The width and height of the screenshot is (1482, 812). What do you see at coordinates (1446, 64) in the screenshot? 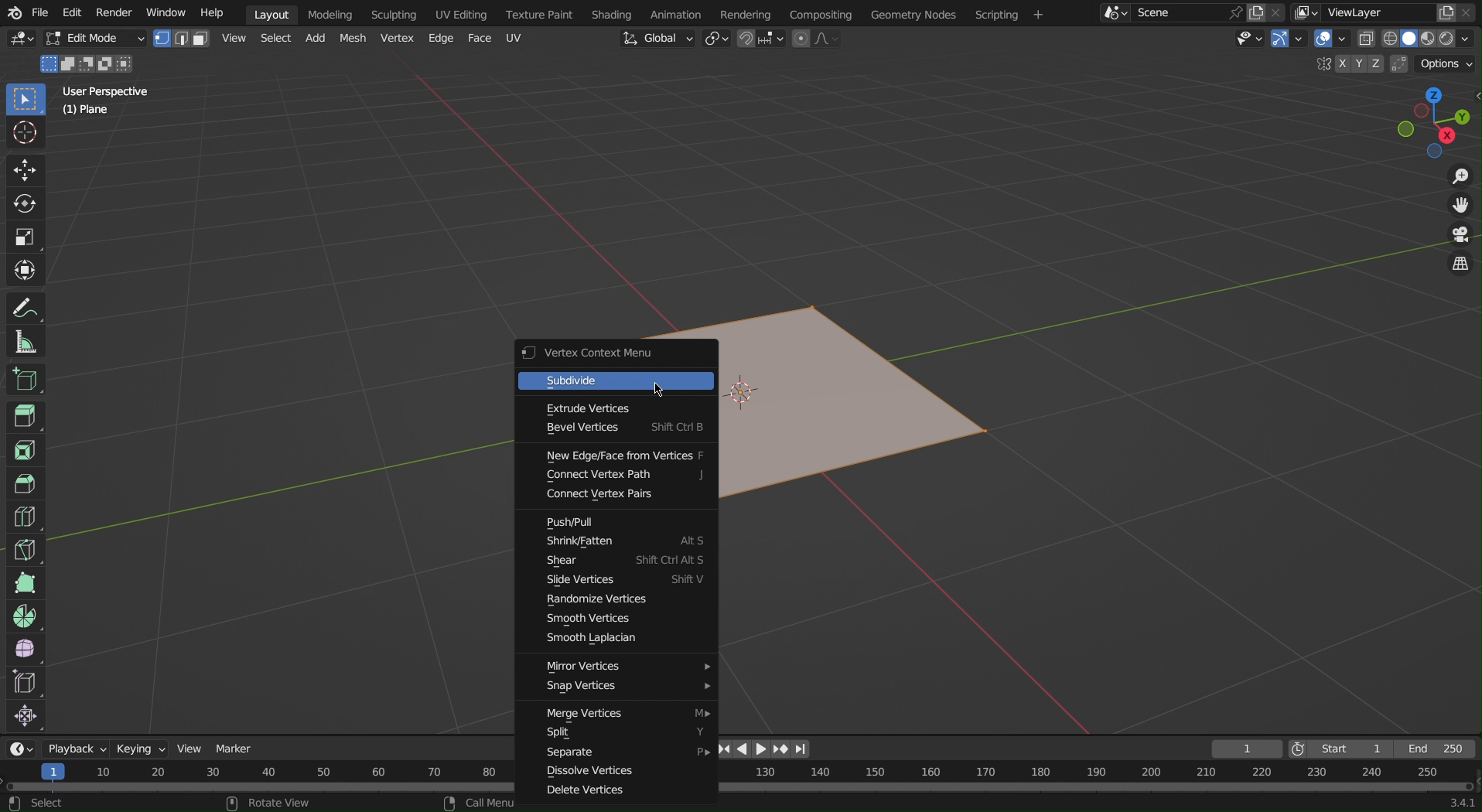
I see `Options` at bounding box center [1446, 64].